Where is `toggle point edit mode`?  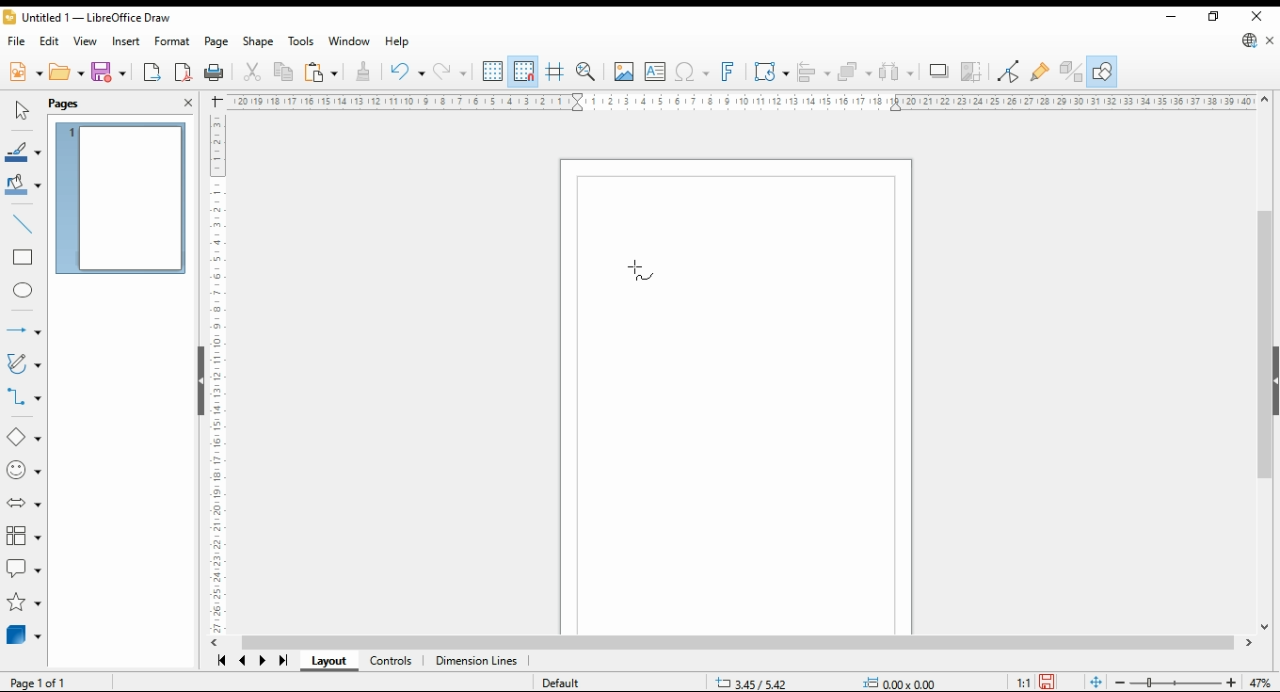
toggle point edit mode is located at coordinates (1009, 72).